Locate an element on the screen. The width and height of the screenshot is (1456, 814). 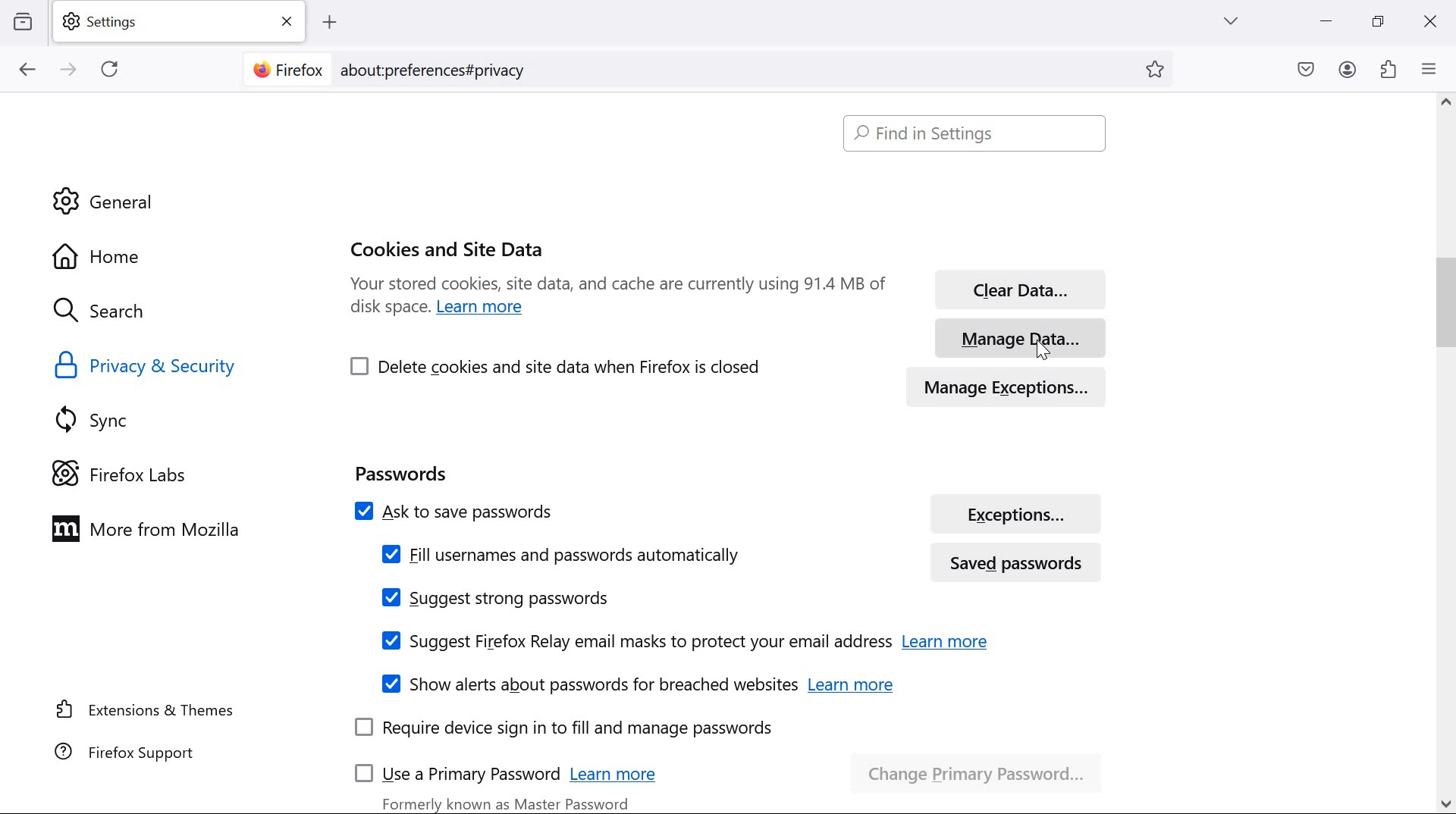
account is located at coordinates (1348, 70).